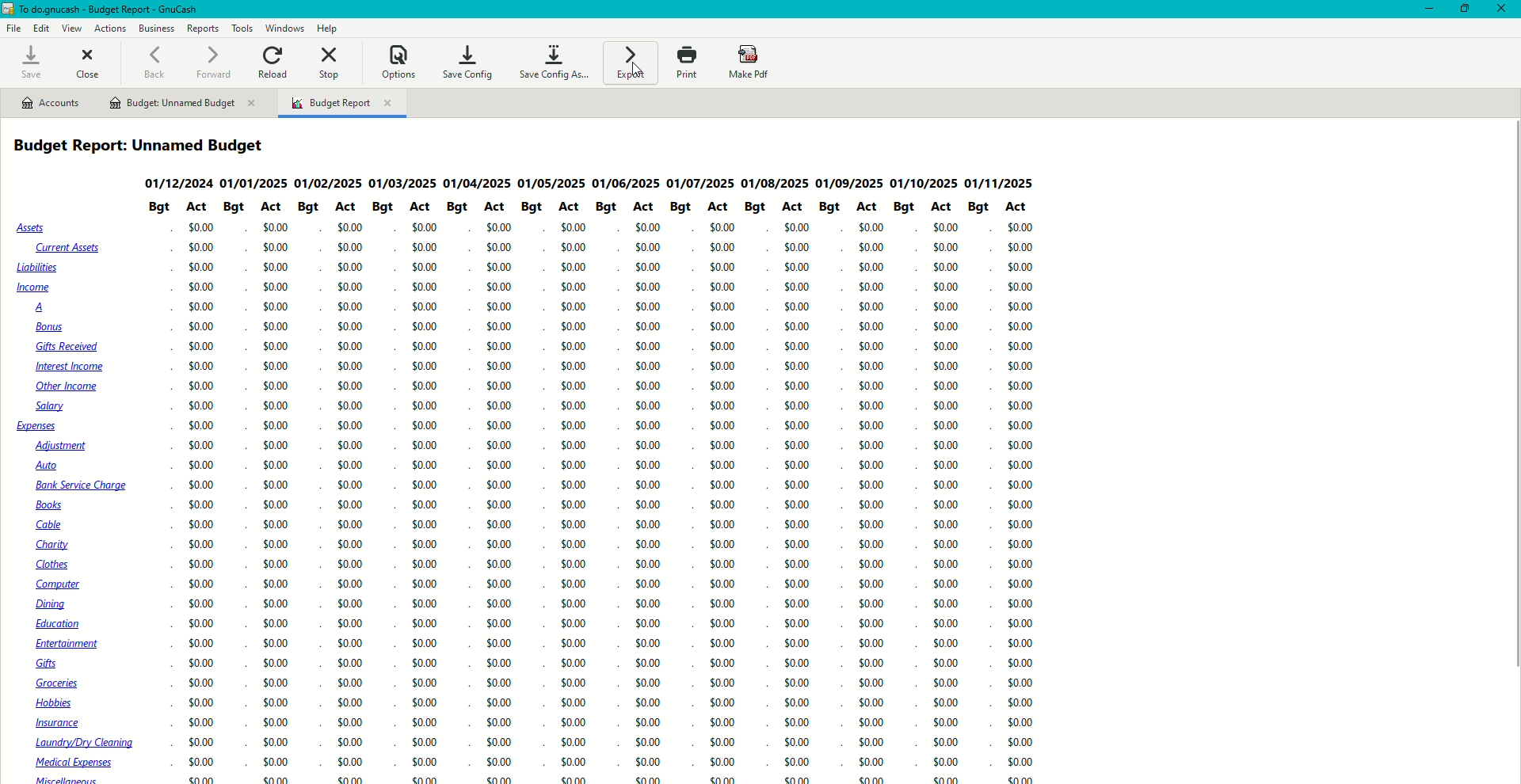 This screenshot has height=784, width=1521. I want to click on 01/04/2025, so click(477, 183).